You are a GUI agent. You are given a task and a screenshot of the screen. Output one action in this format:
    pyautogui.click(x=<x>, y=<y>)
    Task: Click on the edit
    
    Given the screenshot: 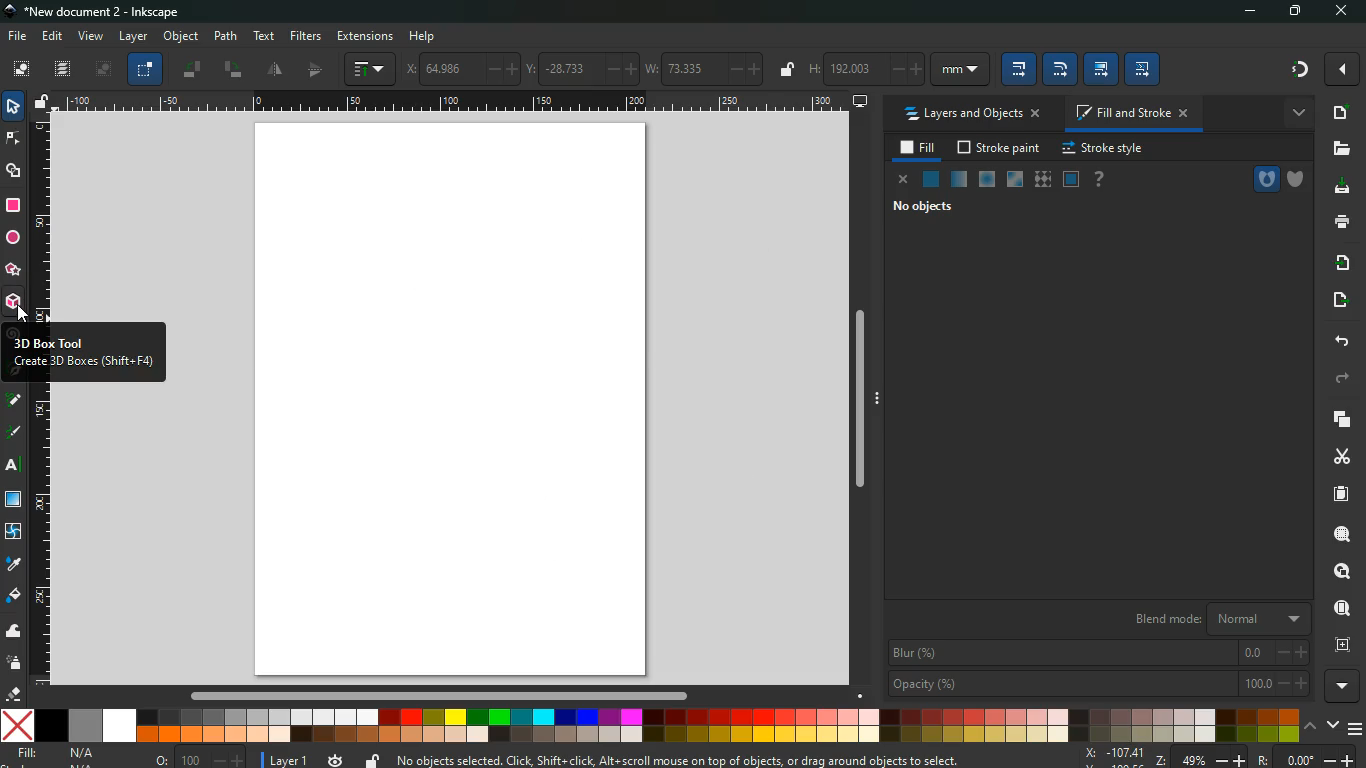 What is the action you would take?
    pyautogui.click(x=1060, y=69)
    